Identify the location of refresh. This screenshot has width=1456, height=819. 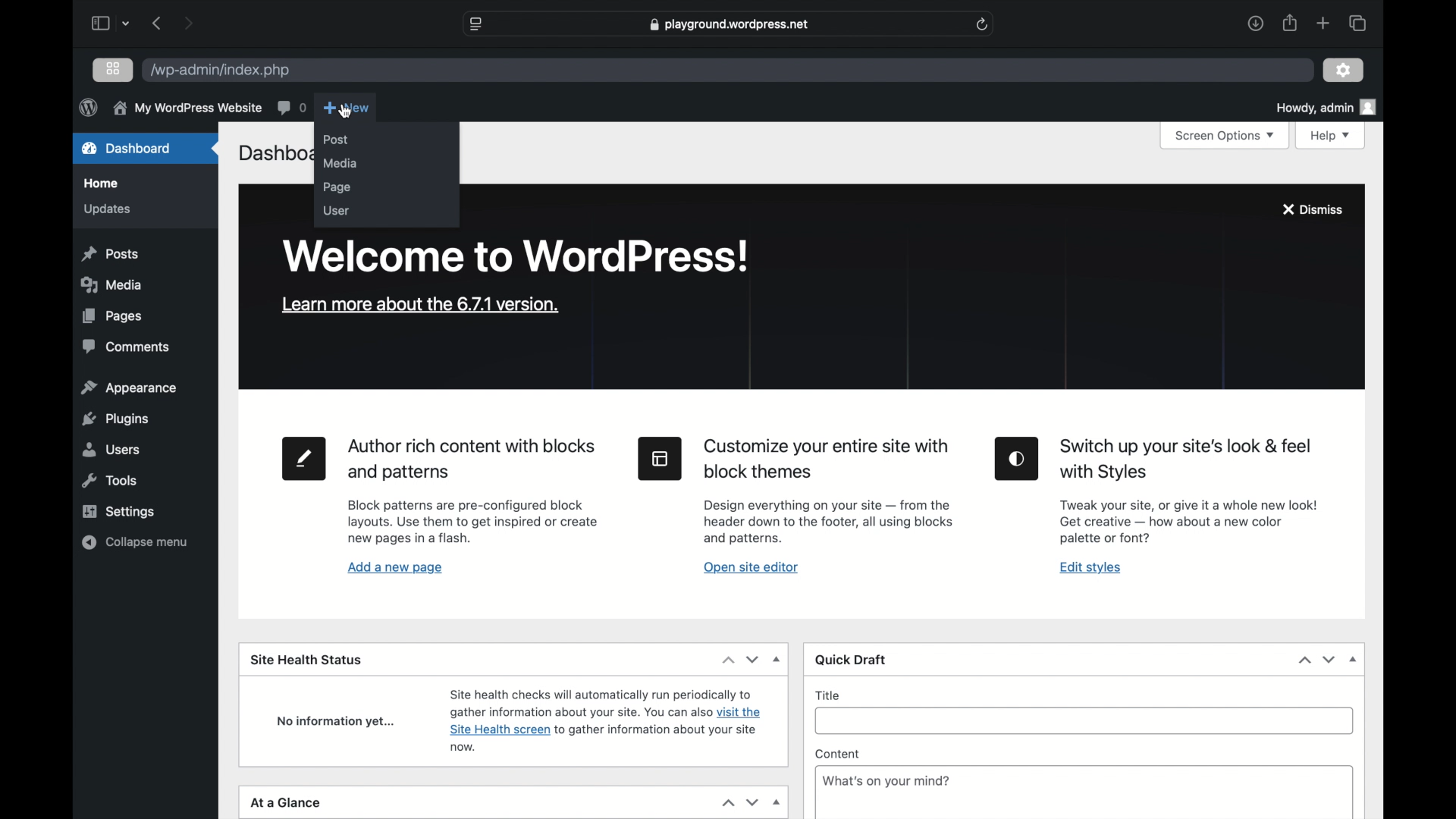
(983, 24).